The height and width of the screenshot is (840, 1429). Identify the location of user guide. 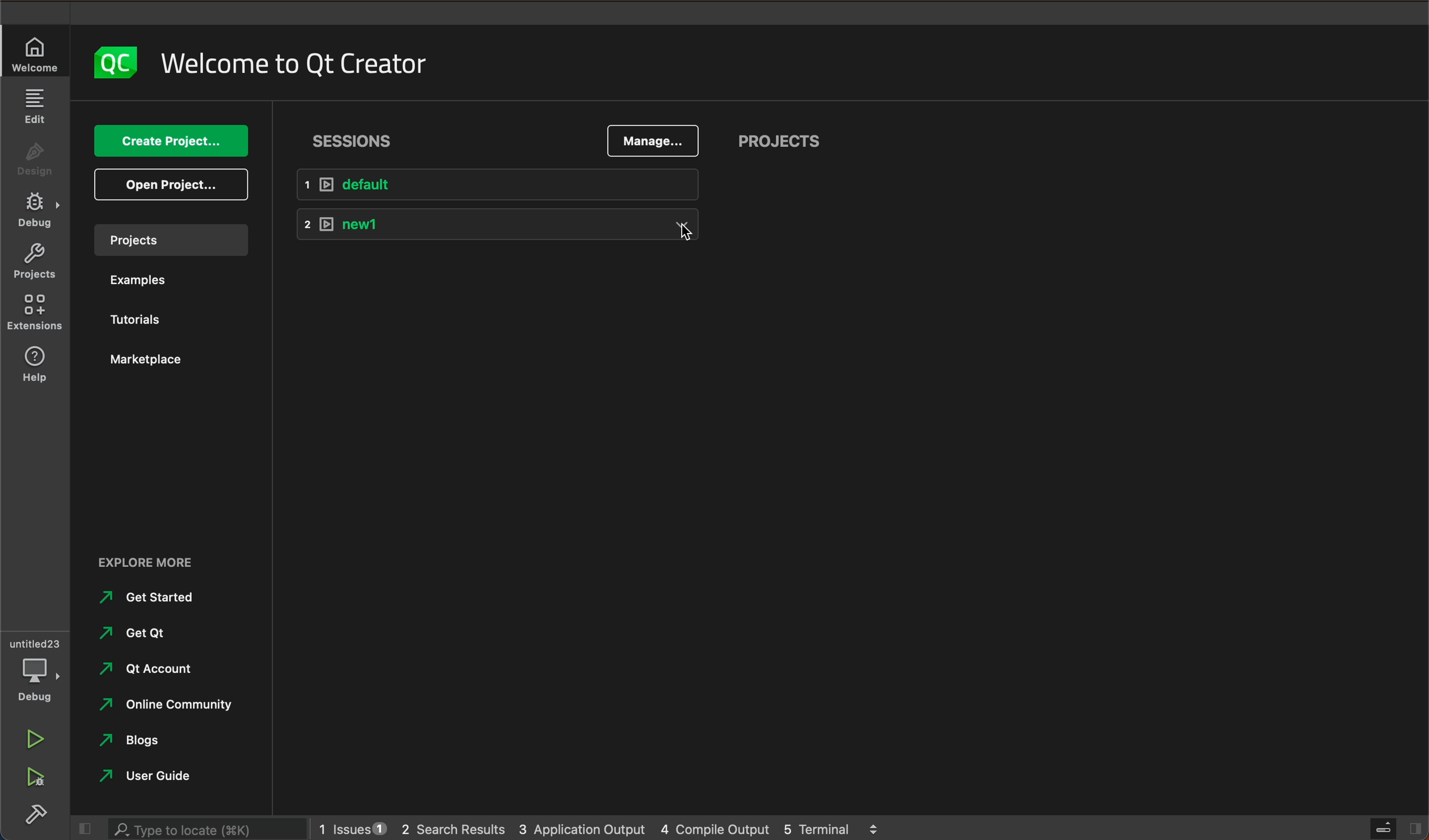
(158, 777).